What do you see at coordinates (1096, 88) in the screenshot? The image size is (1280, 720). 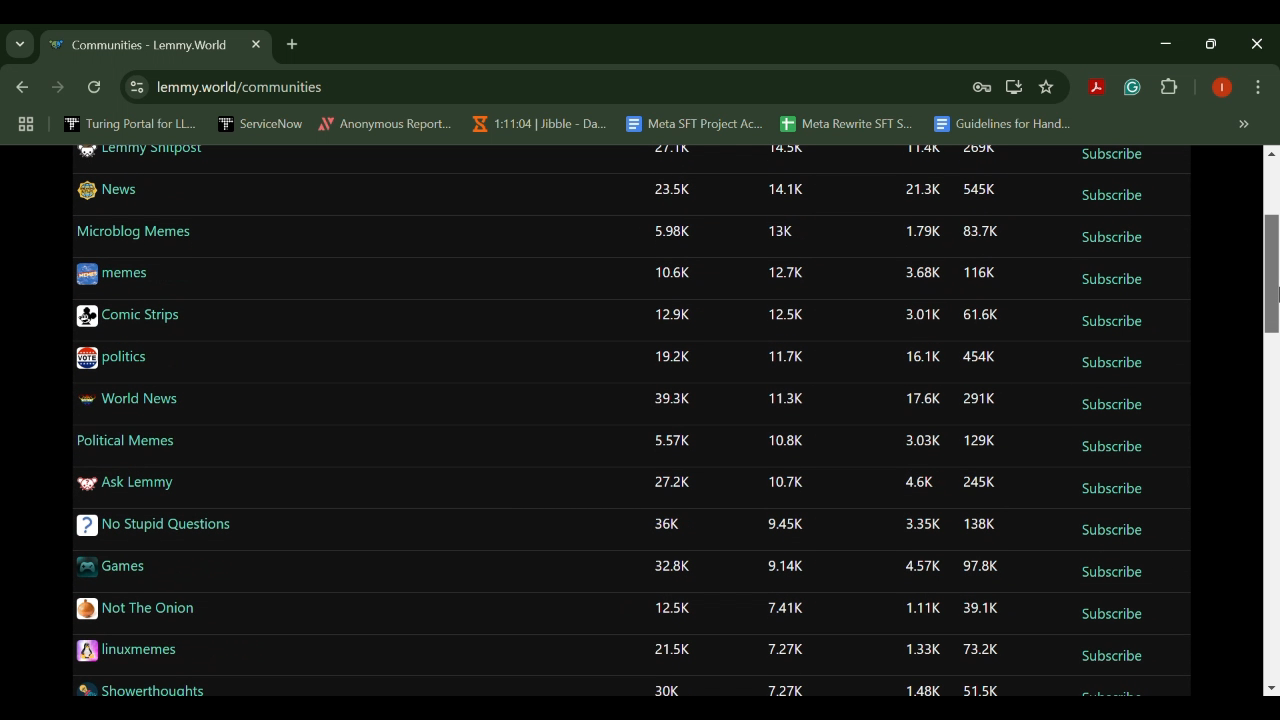 I see `Acrobat Extension` at bounding box center [1096, 88].